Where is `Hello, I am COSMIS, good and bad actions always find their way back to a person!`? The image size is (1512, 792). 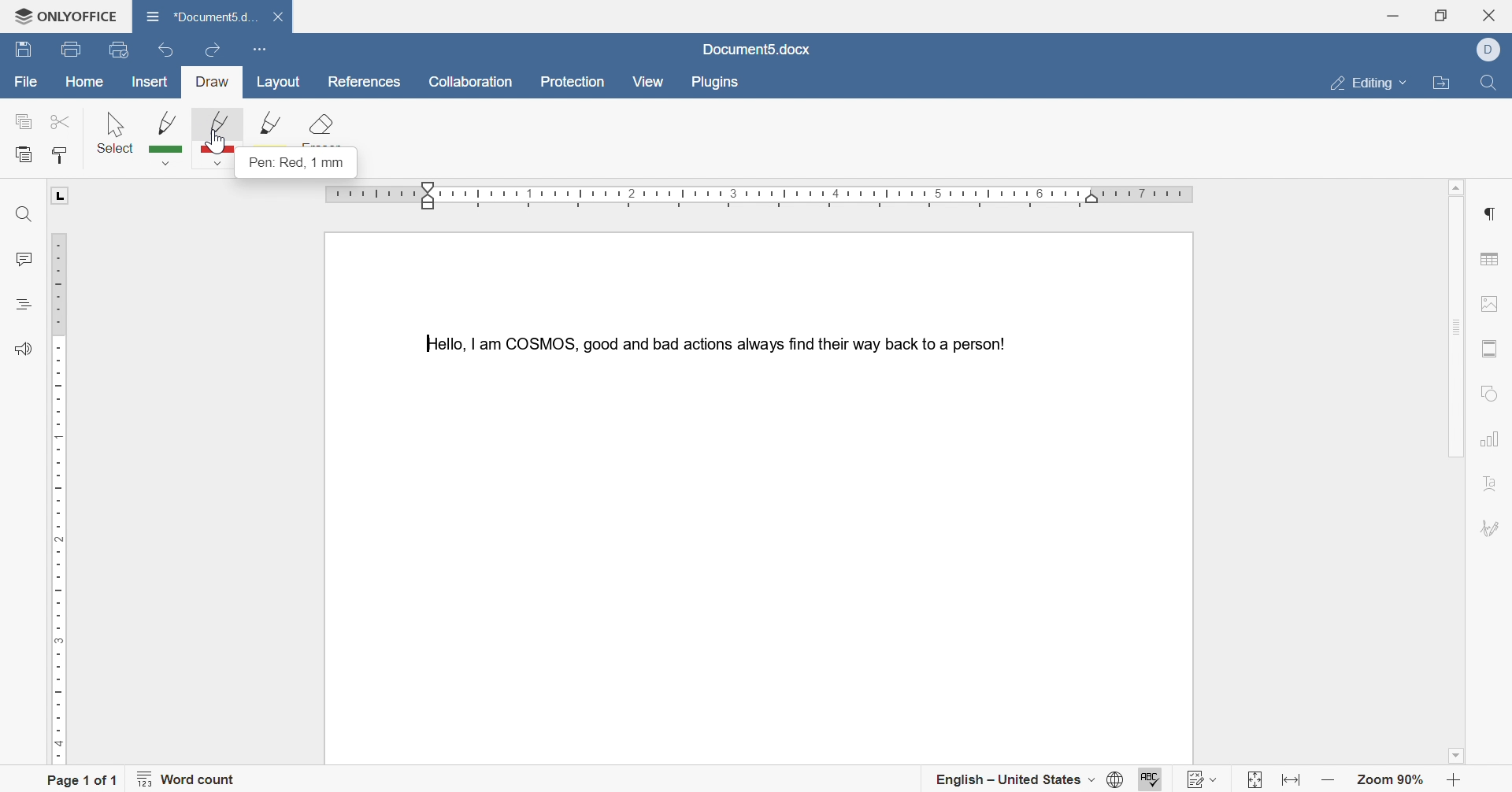 Hello, I am COSMIS, good and bad actions always find their way back to a person! is located at coordinates (712, 341).